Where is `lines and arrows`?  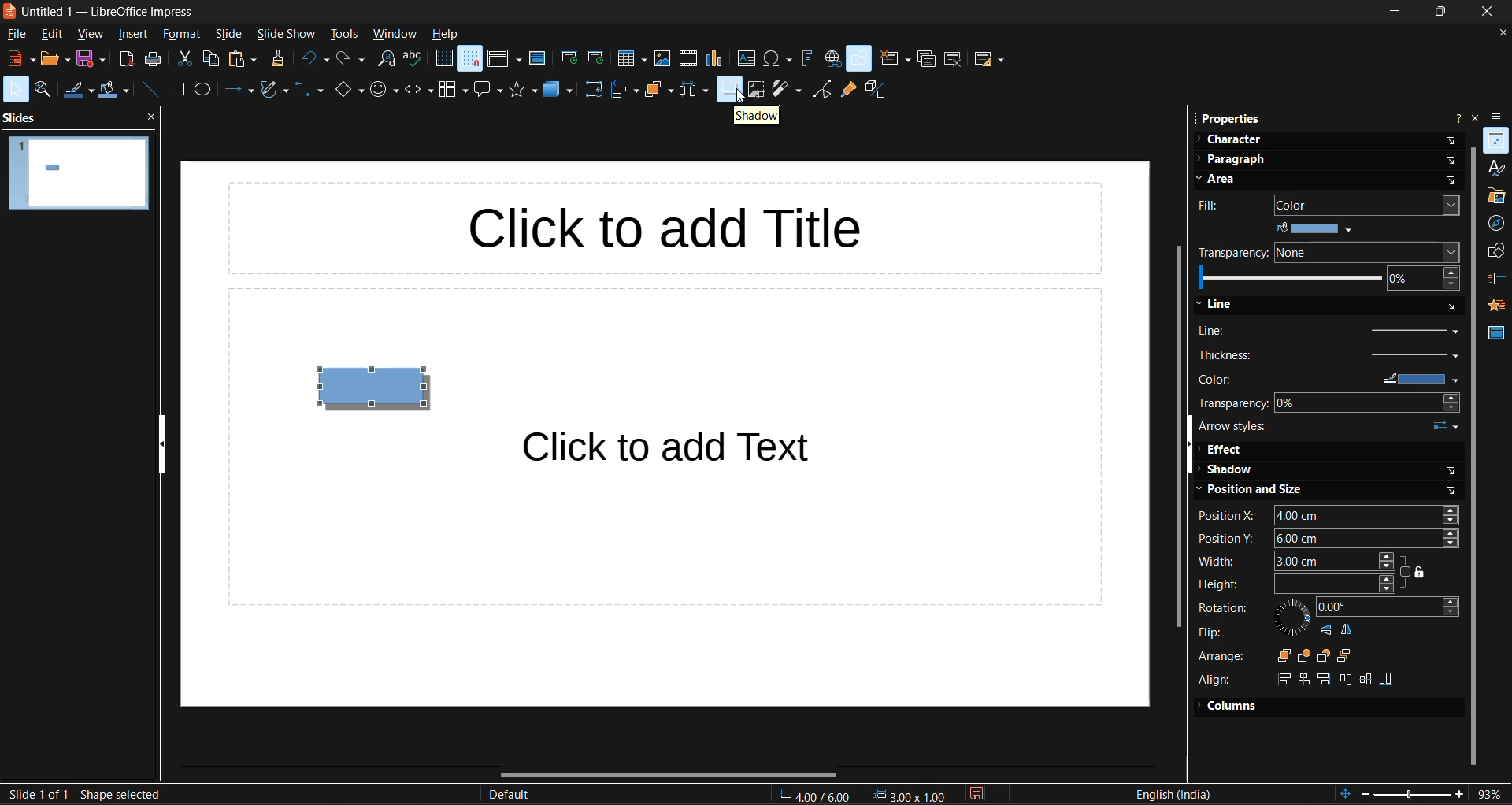 lines and arrows is located at coordinates (240, 90).